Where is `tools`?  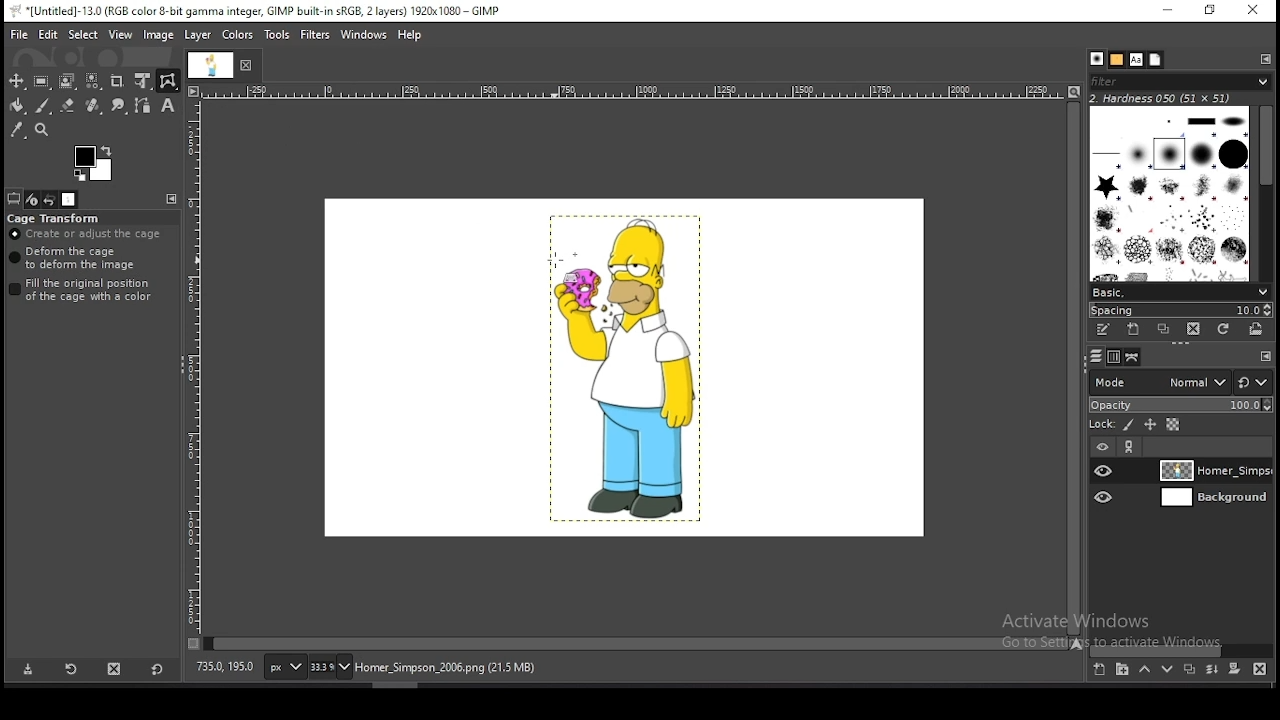 tools is located at coordinates (278, 35).